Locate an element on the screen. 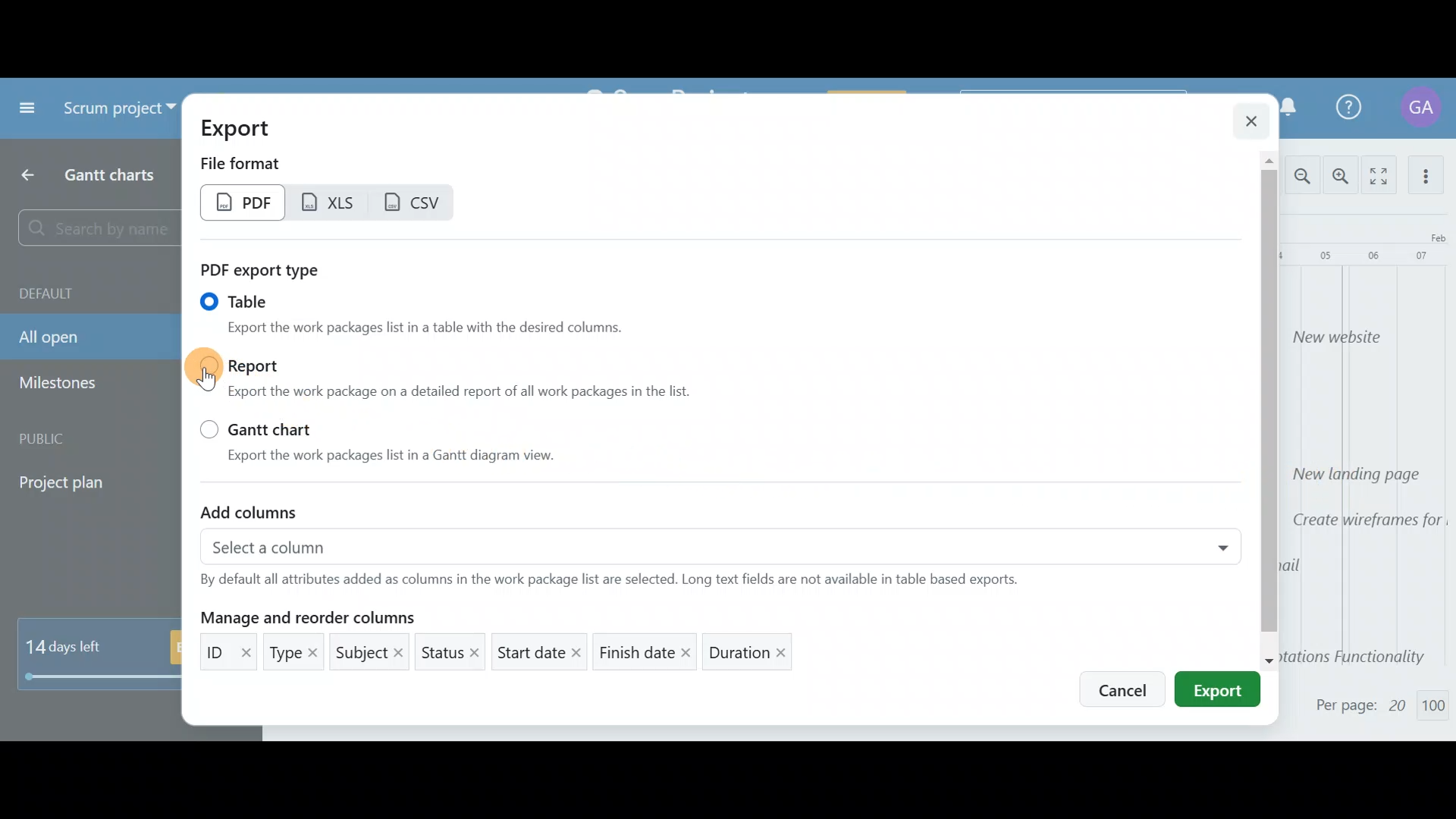 The height and width of the screenshot is (819, 1456). Export is located at coordinates (1221, 691).